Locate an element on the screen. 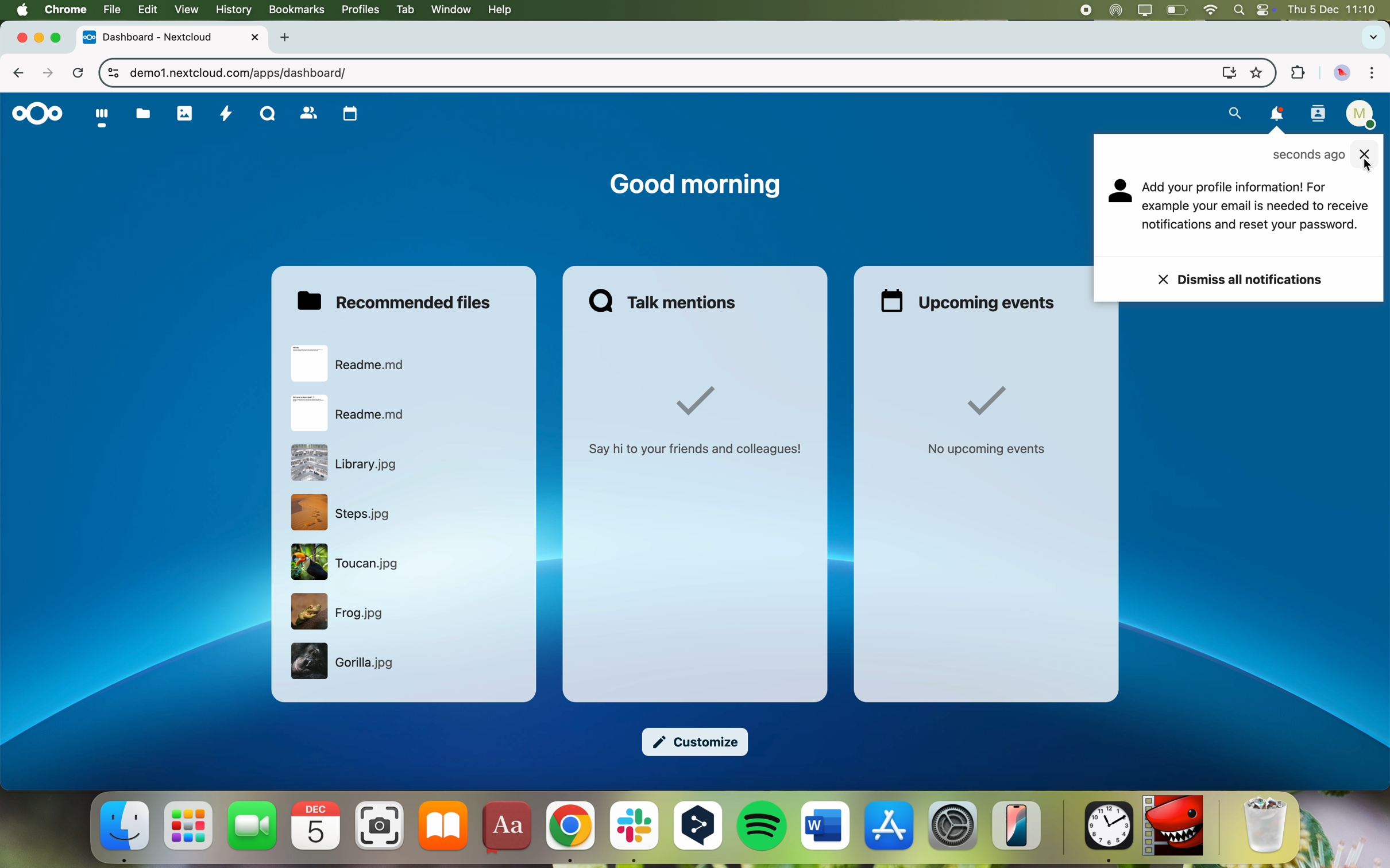  no upcoming events is located at coordinates (987, 423).